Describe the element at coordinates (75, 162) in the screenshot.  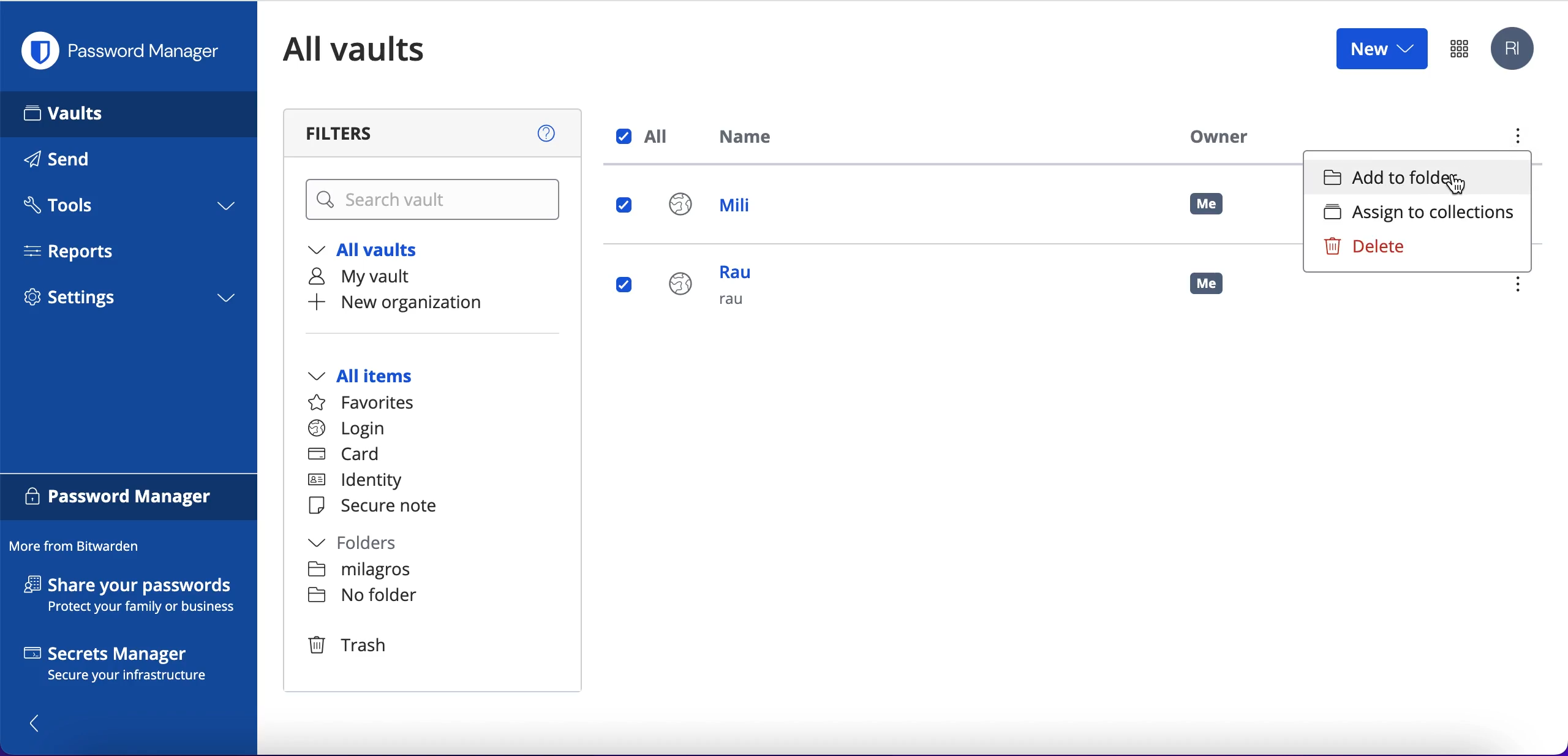
I see `send` at that location.